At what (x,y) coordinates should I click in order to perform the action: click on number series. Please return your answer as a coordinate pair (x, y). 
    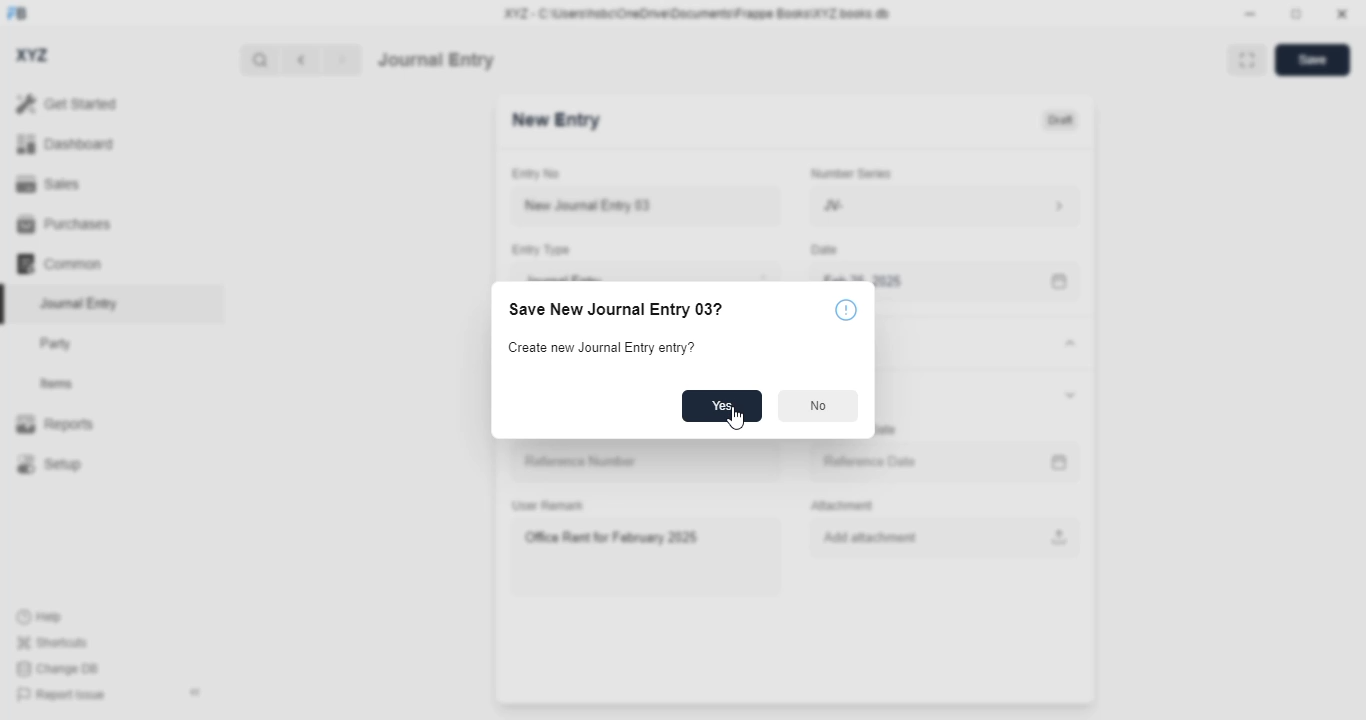
    Looking at the image, I should click on (846, 173).